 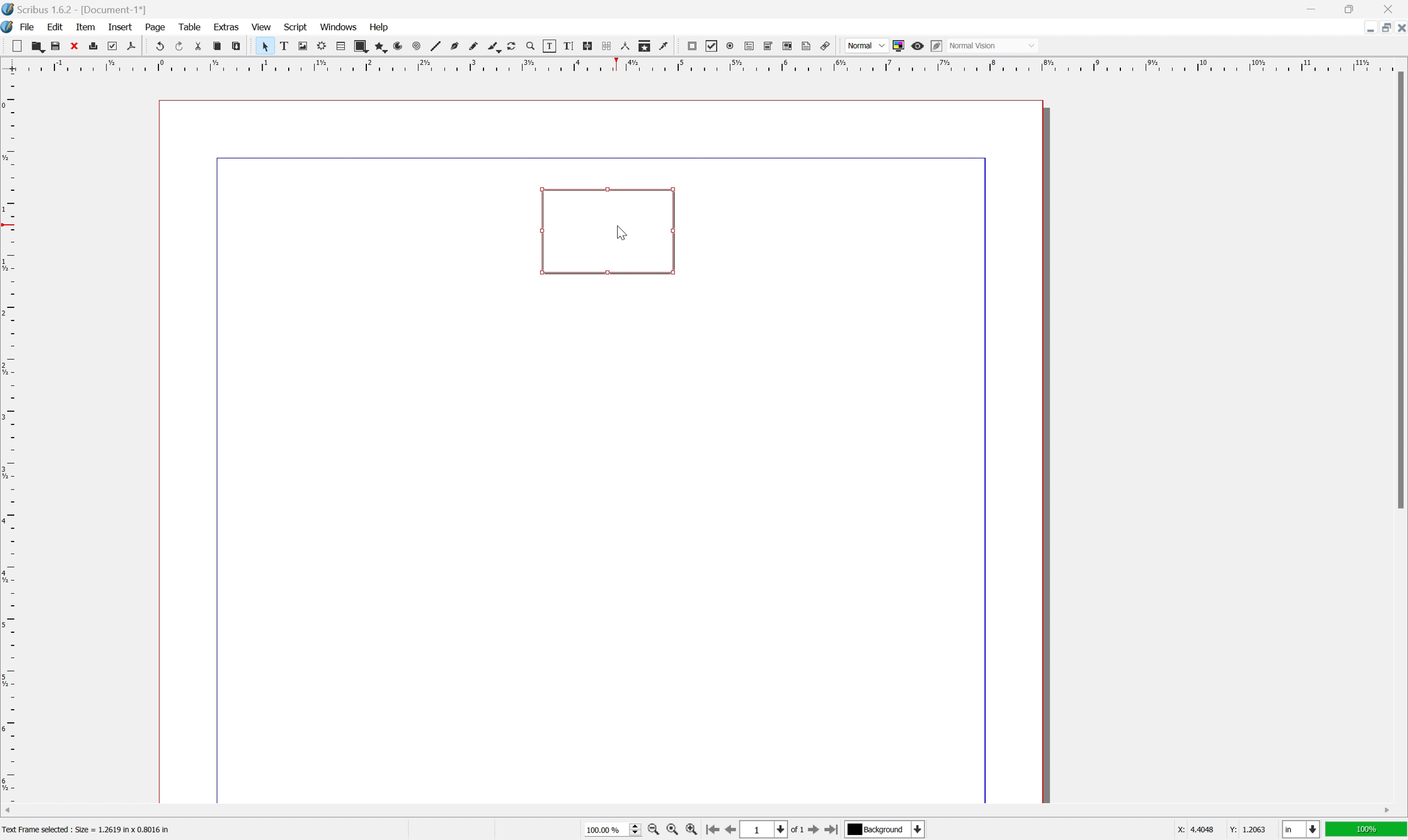 I want to click on cut, so click(x=198, y=45).